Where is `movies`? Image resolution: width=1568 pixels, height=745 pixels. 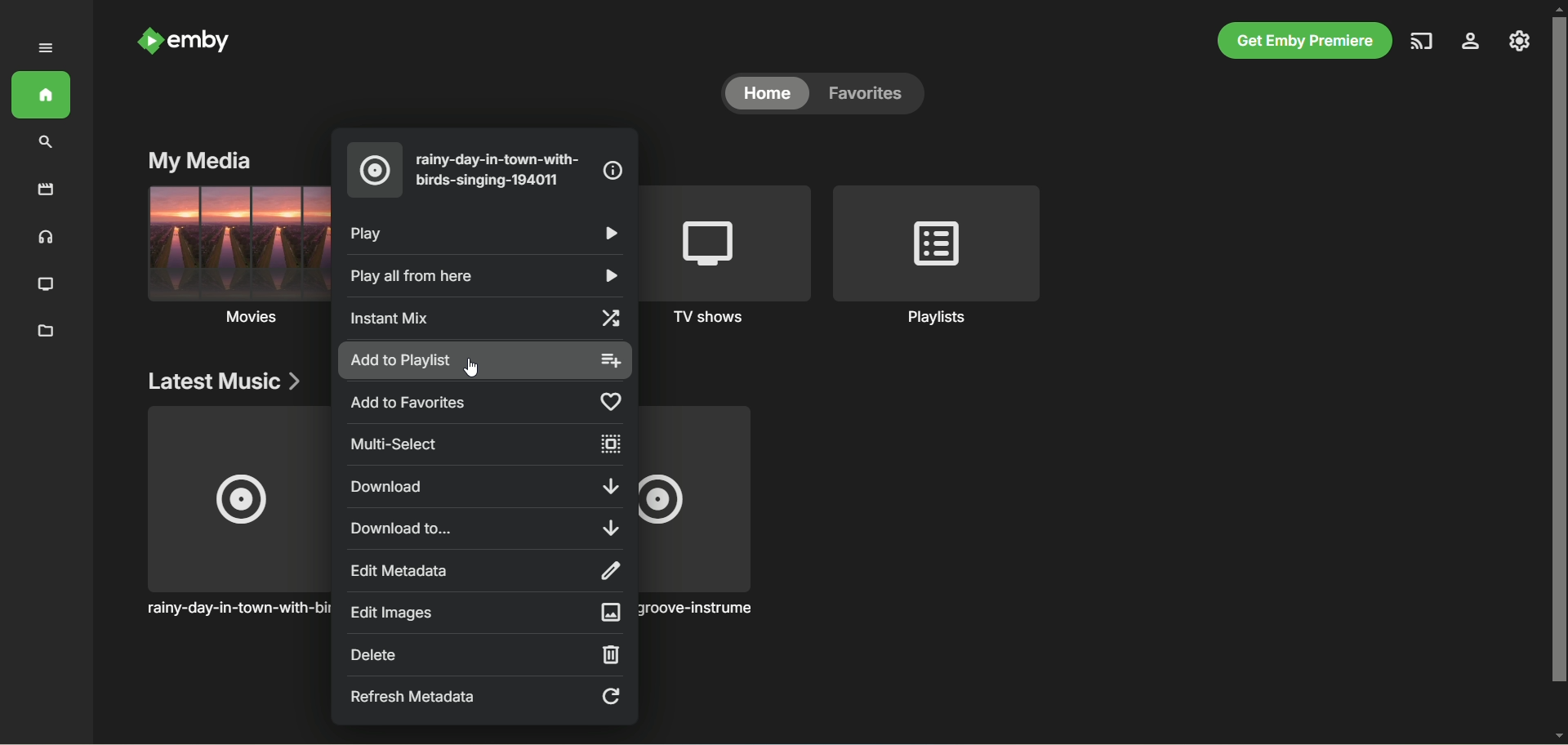
movies is located at coordinates (45, 189).